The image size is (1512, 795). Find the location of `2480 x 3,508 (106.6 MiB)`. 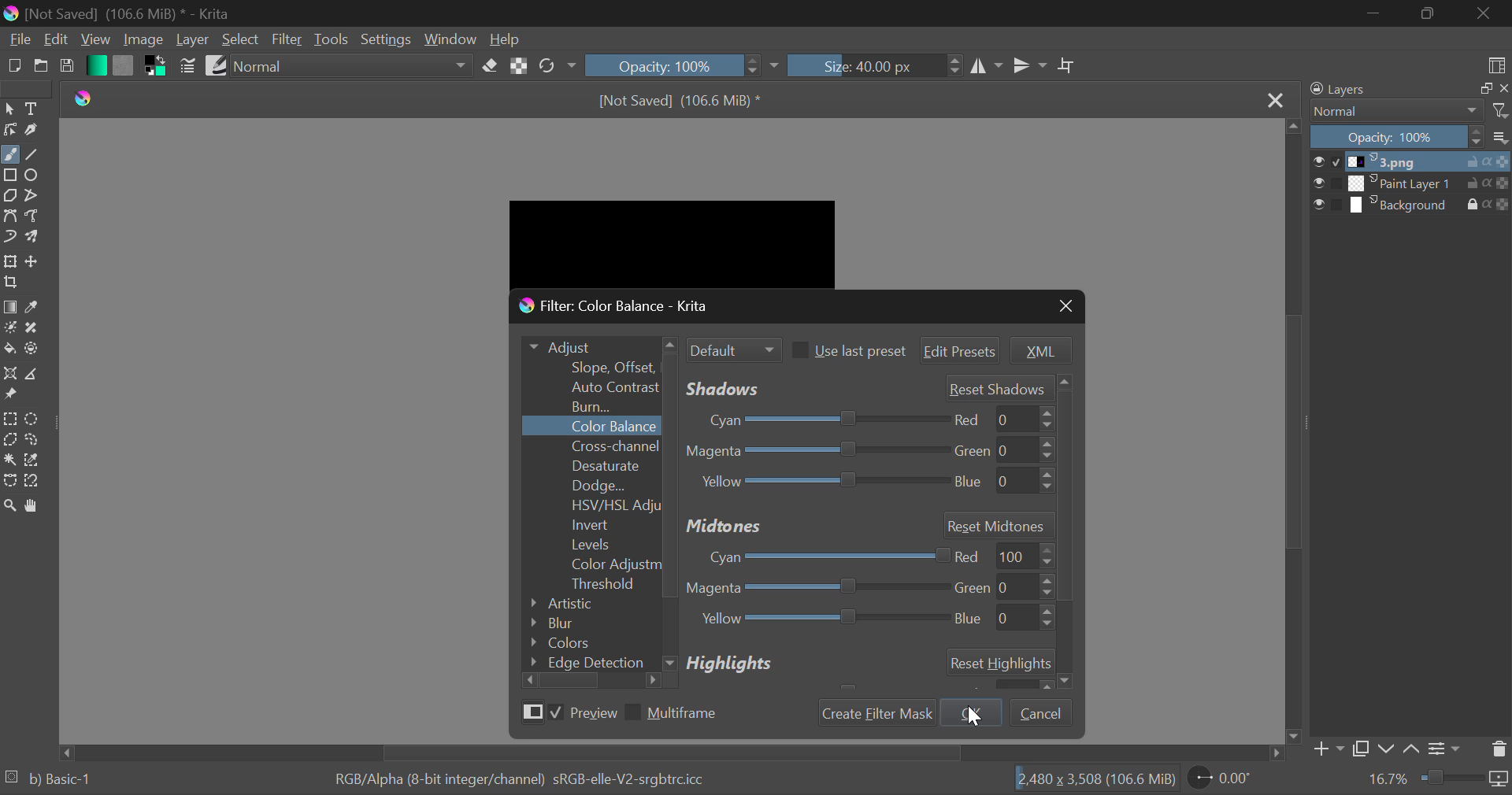

2480 x 3,508 (106.6 MiB) is located at coordinates (1089, 782).